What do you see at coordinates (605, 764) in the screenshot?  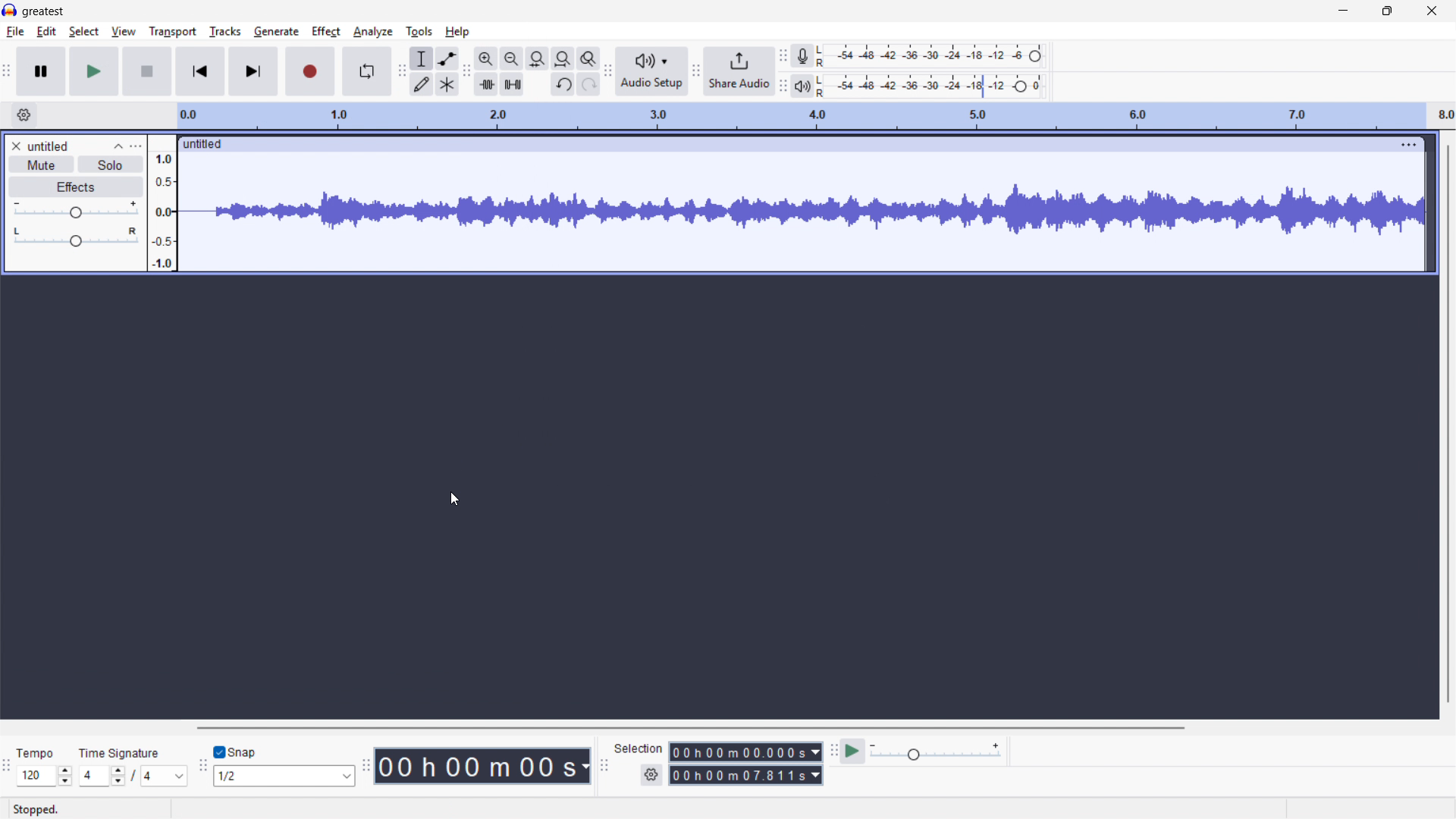 I see `selection toolbar` at bounding box center [605, 764].